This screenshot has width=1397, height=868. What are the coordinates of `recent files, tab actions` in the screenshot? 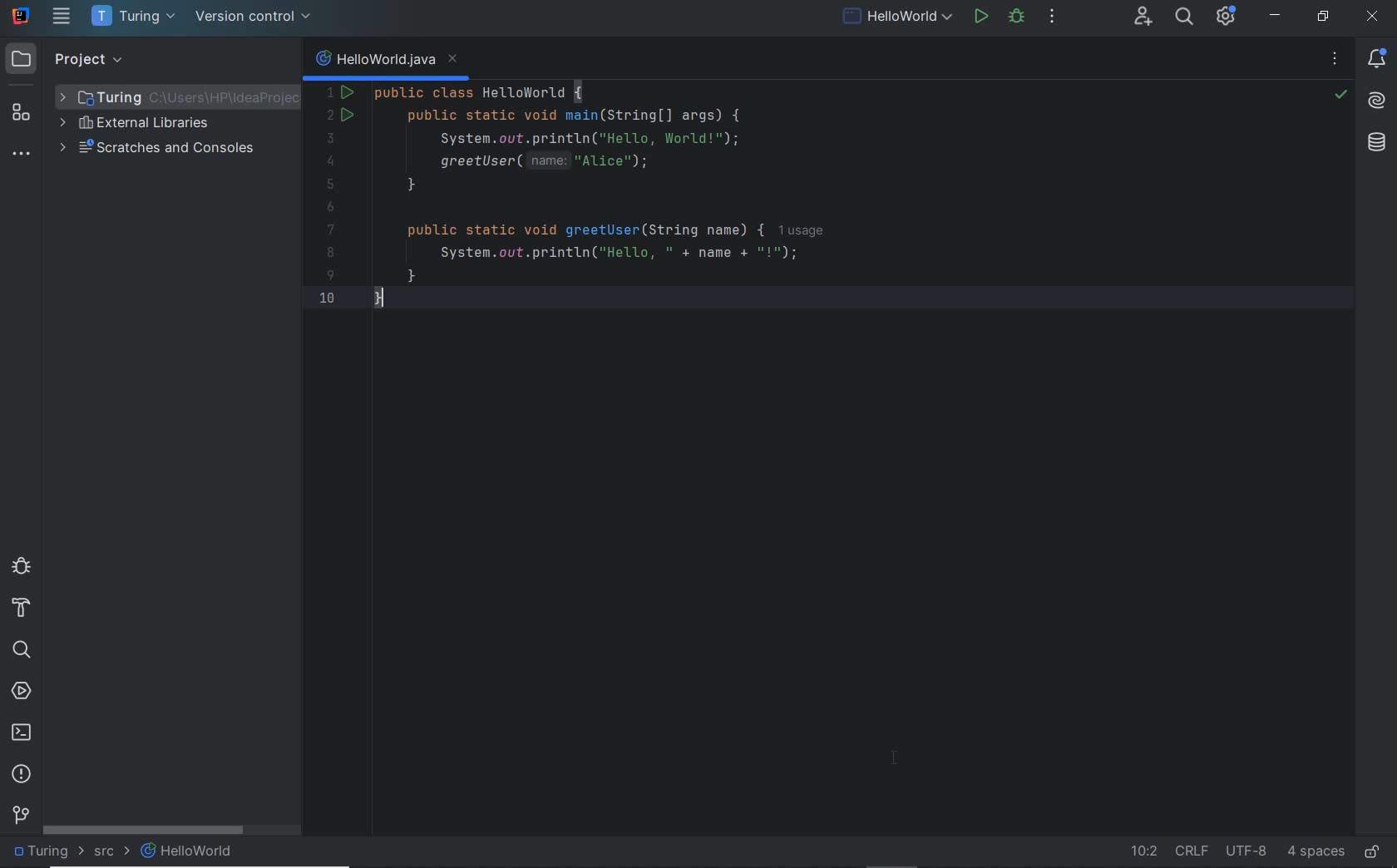 It's located at (1335, 62).